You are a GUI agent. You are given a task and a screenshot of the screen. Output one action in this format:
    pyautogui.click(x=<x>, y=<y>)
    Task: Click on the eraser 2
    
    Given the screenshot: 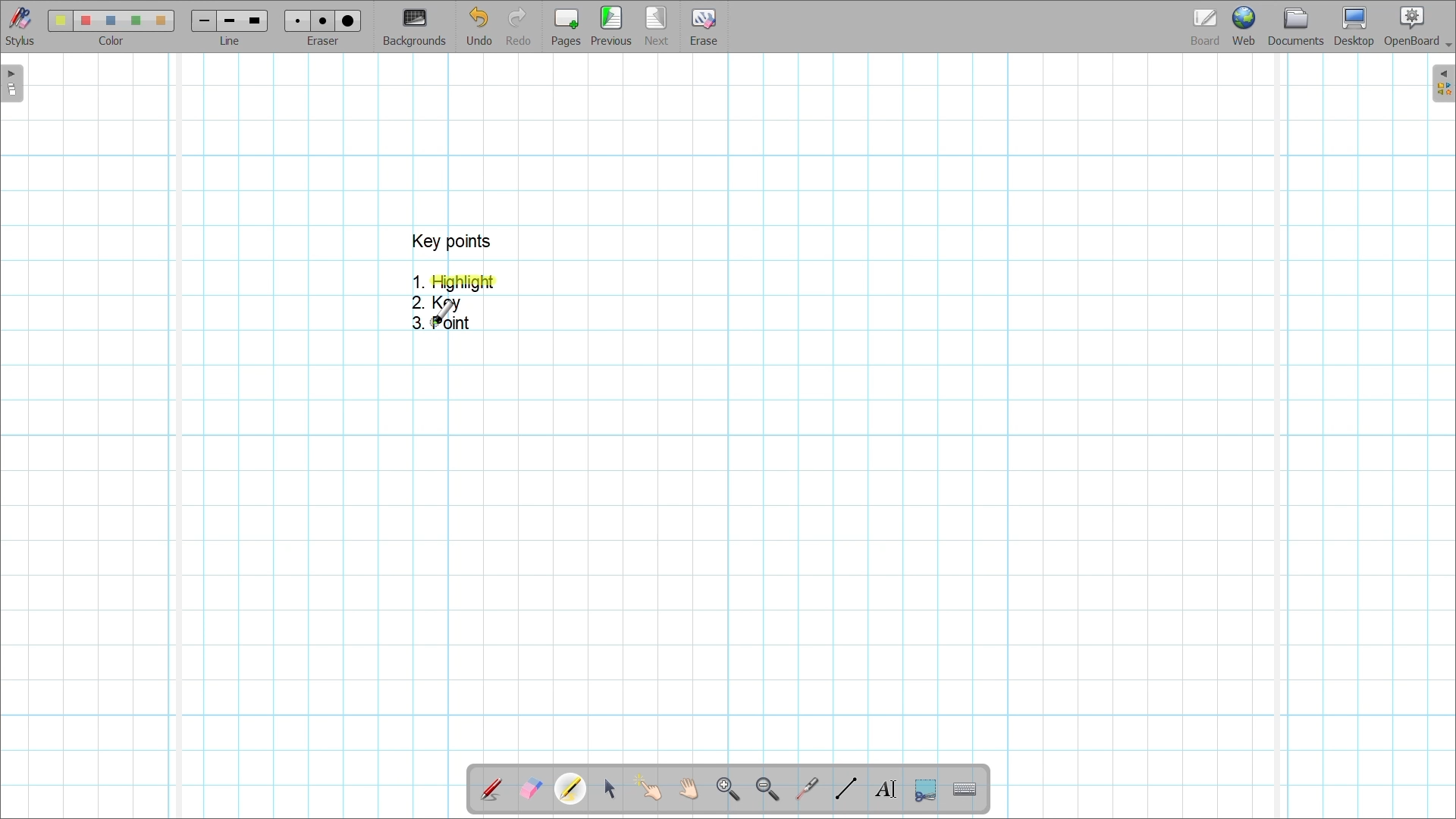 What is the action you would take?
    pyautogui.click(x=322, y=20)
    